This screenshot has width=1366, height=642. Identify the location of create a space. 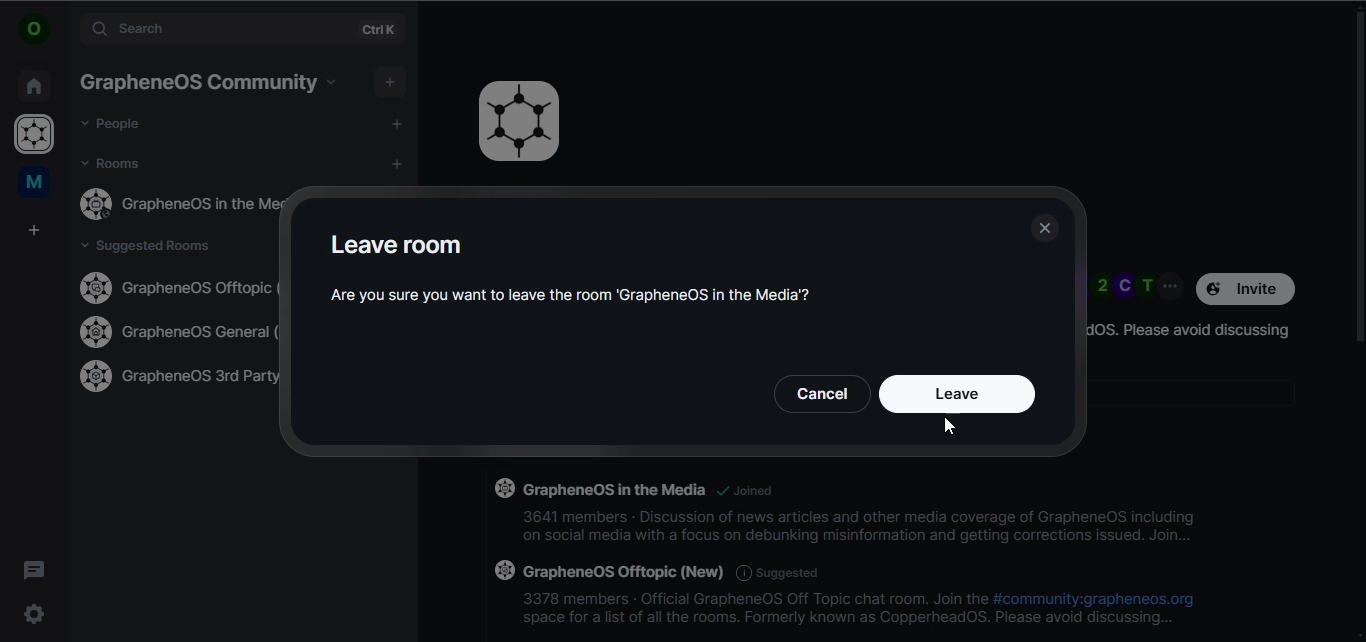
(36, 231).